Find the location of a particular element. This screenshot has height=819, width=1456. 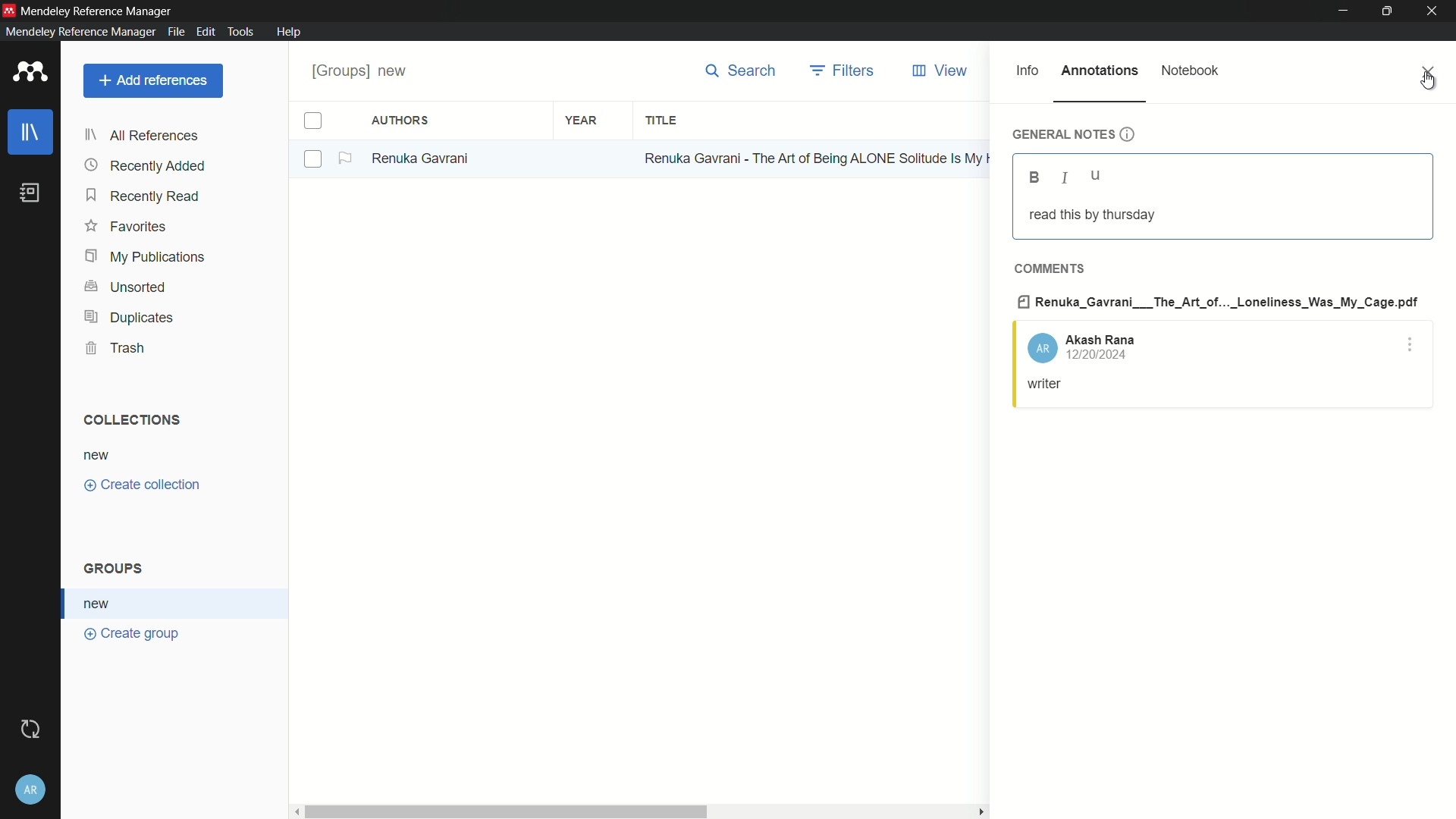

library is located at coordinates (30, 132).